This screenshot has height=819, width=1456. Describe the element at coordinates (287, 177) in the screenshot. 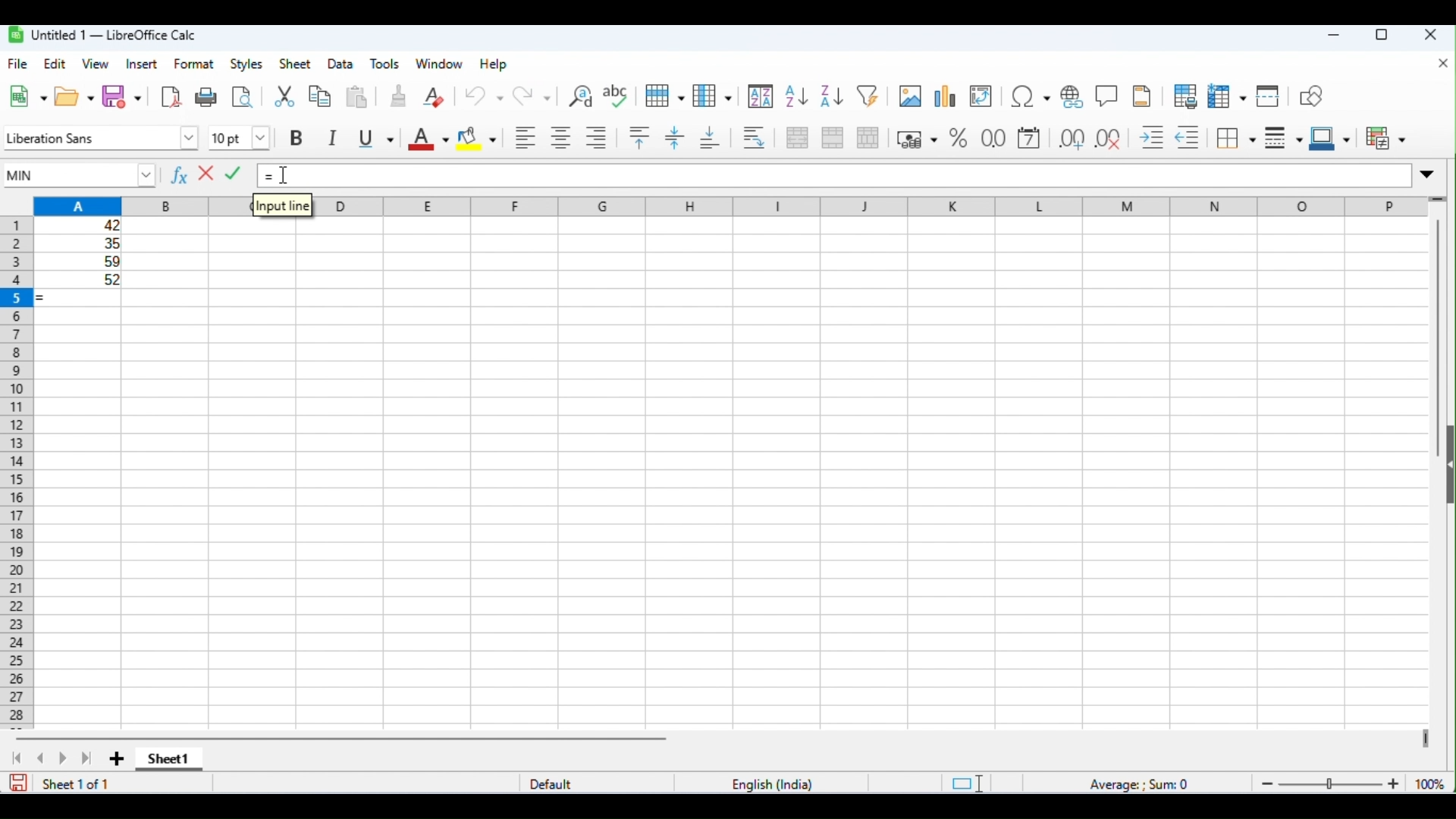

I see `cursor` at that location.